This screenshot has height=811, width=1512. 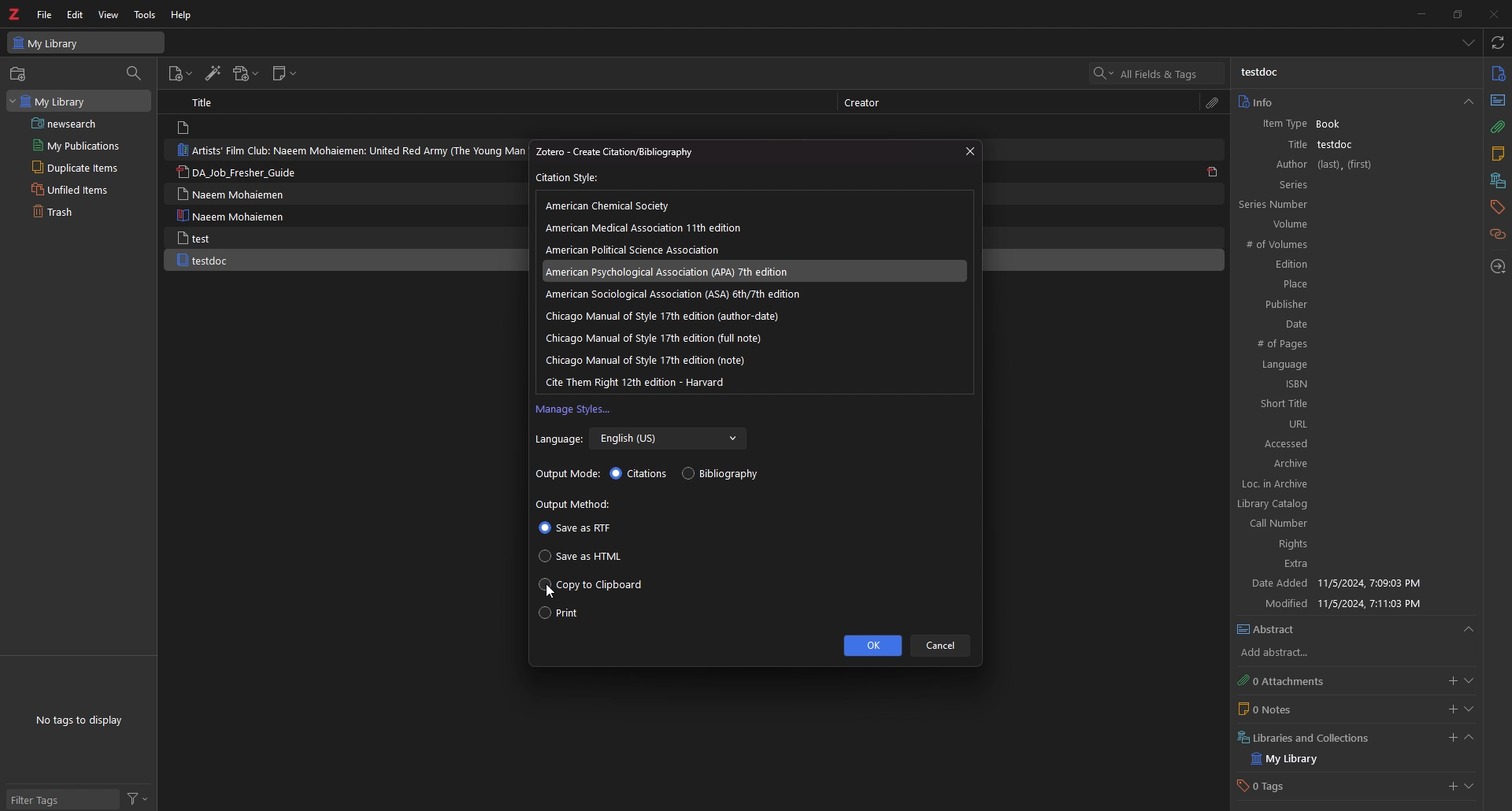 I want to click on # of Volumes, so click(x=1342, y=246).